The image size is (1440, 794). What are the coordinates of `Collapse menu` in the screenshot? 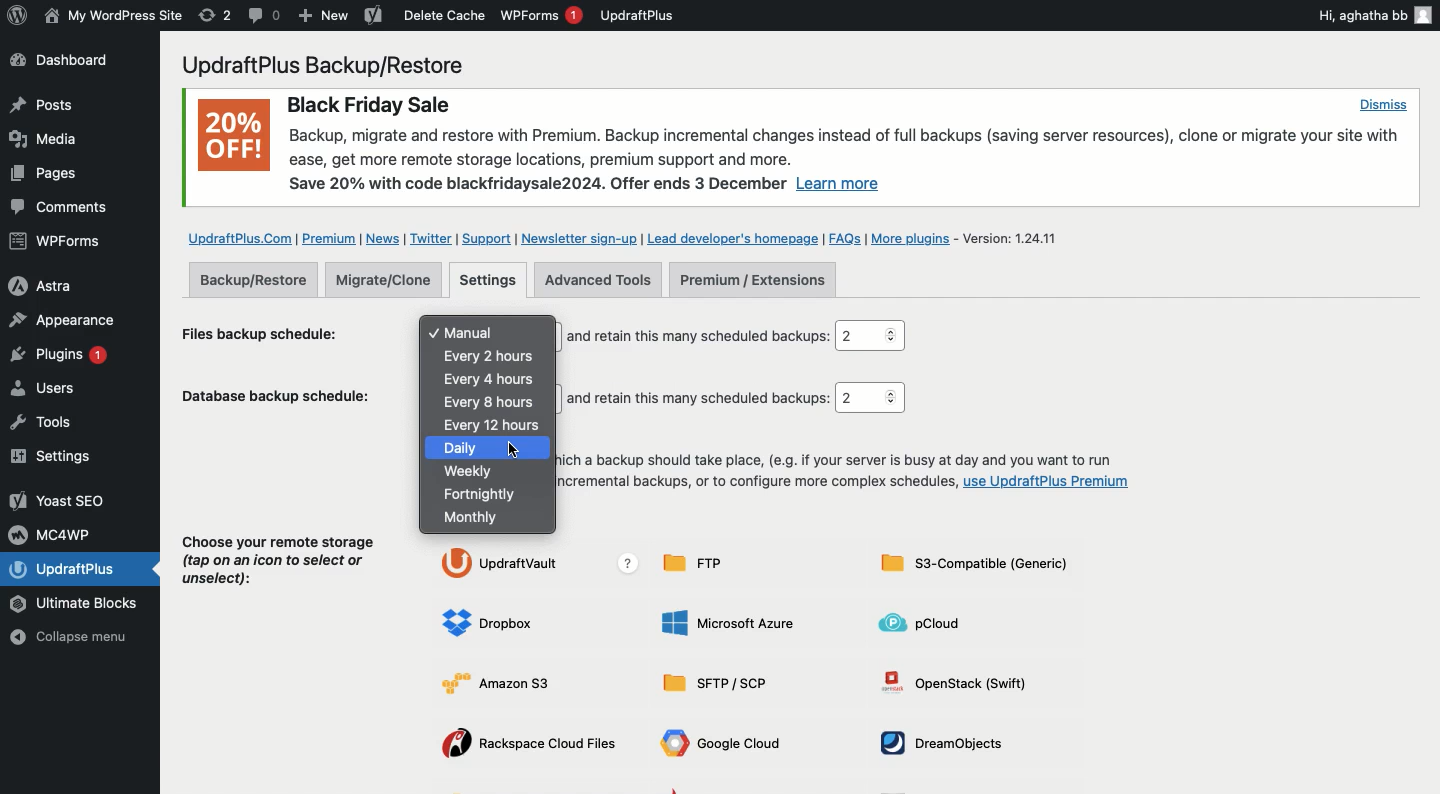 It's located at (77, 639).